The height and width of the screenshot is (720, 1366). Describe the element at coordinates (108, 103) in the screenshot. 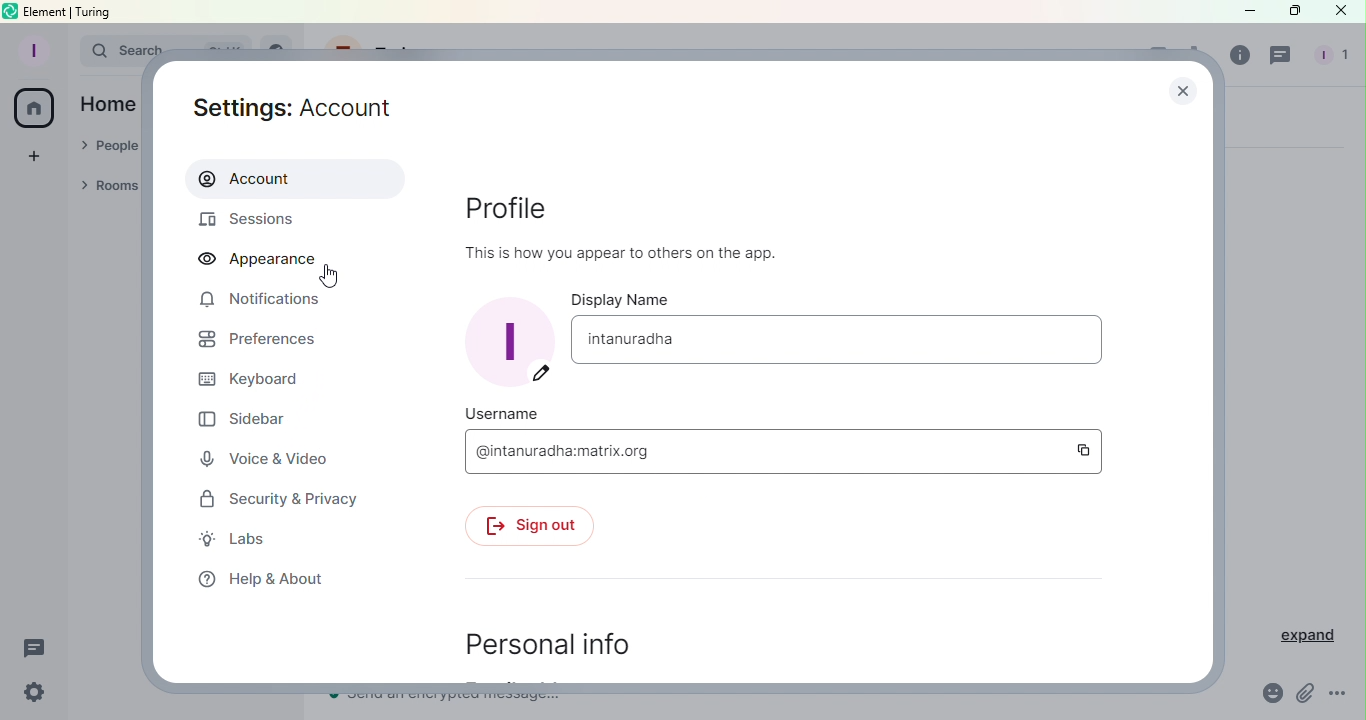

I see `Home` at that location.